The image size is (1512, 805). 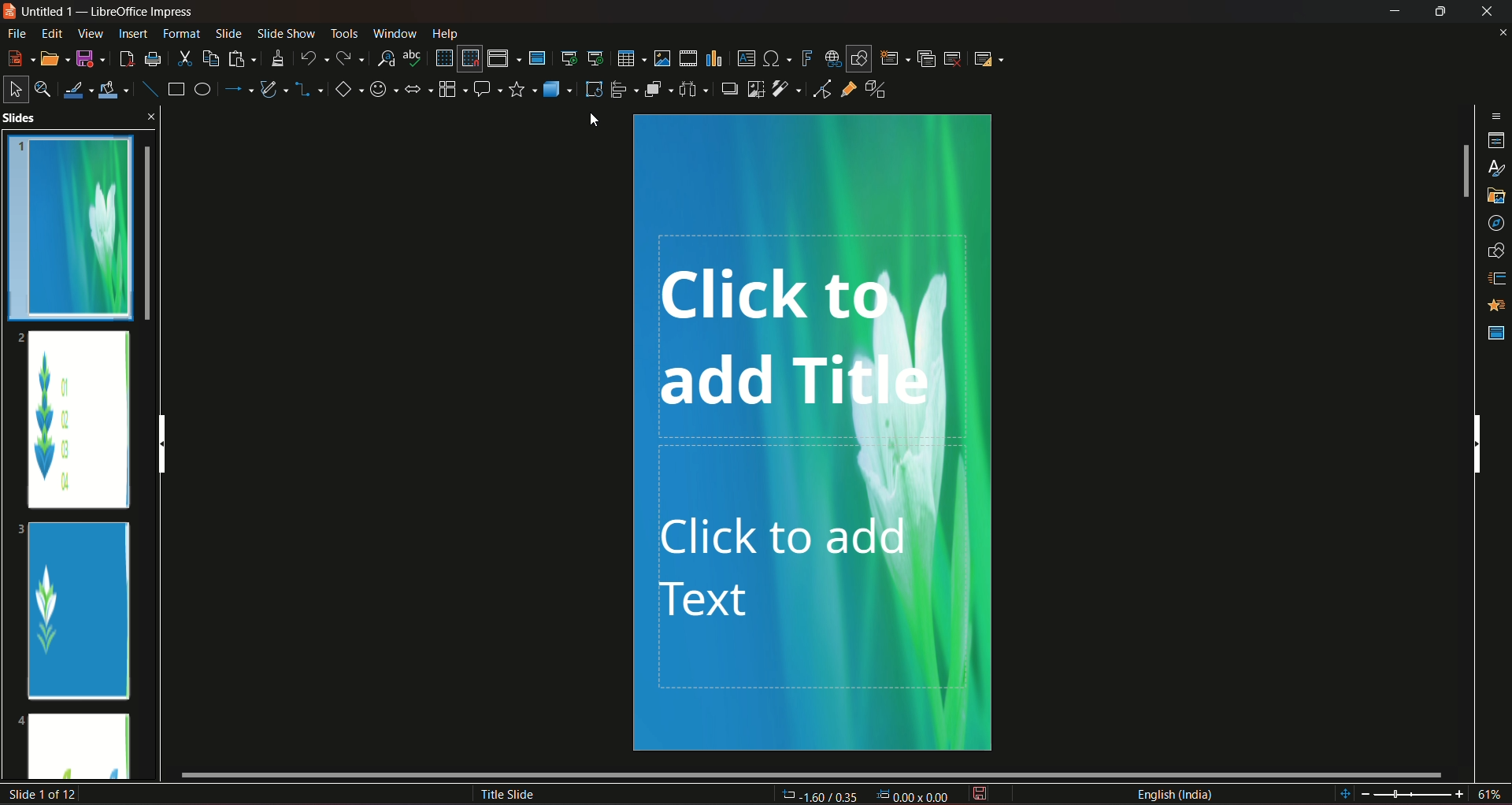 What do you see at coordinates (384, 89) in the screenshot?
I see `symbol shapes` at bounding box center [384, 89].